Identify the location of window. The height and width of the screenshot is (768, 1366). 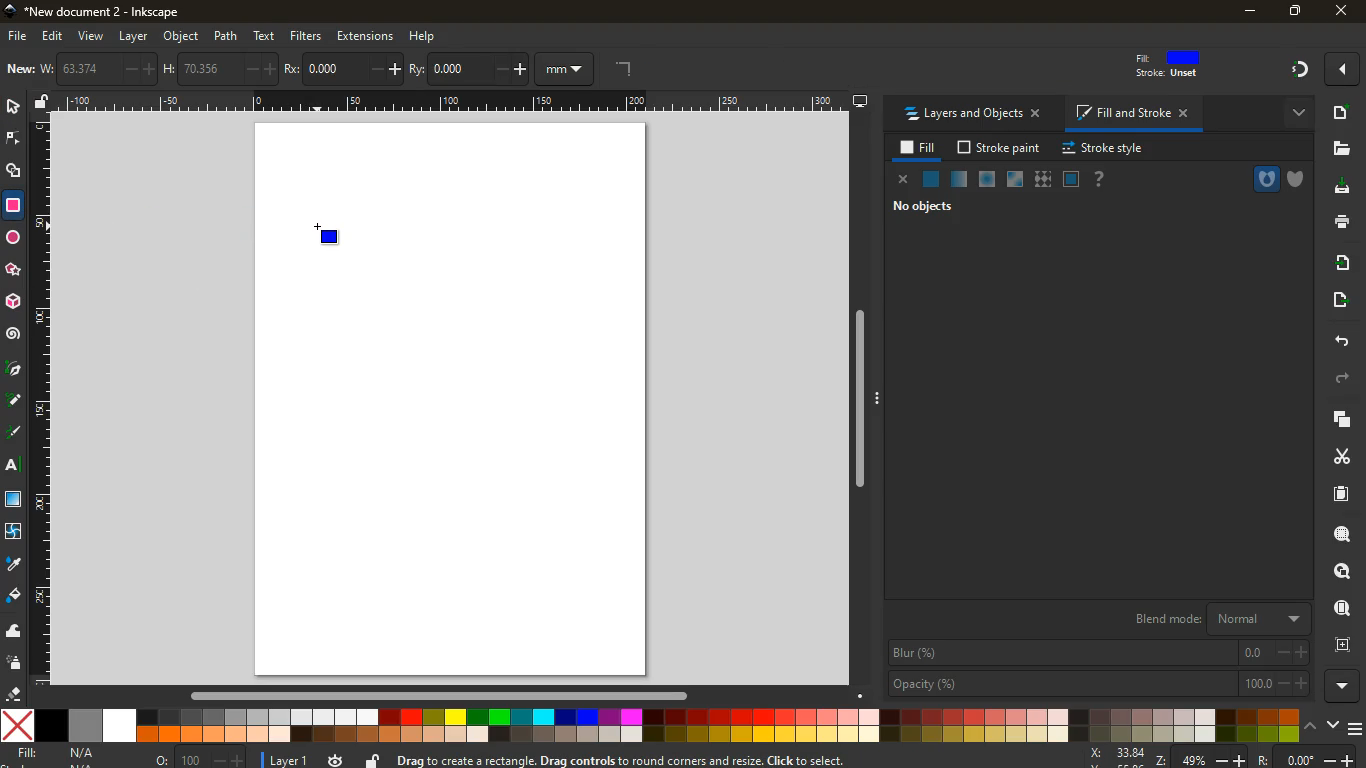
(15, 501).